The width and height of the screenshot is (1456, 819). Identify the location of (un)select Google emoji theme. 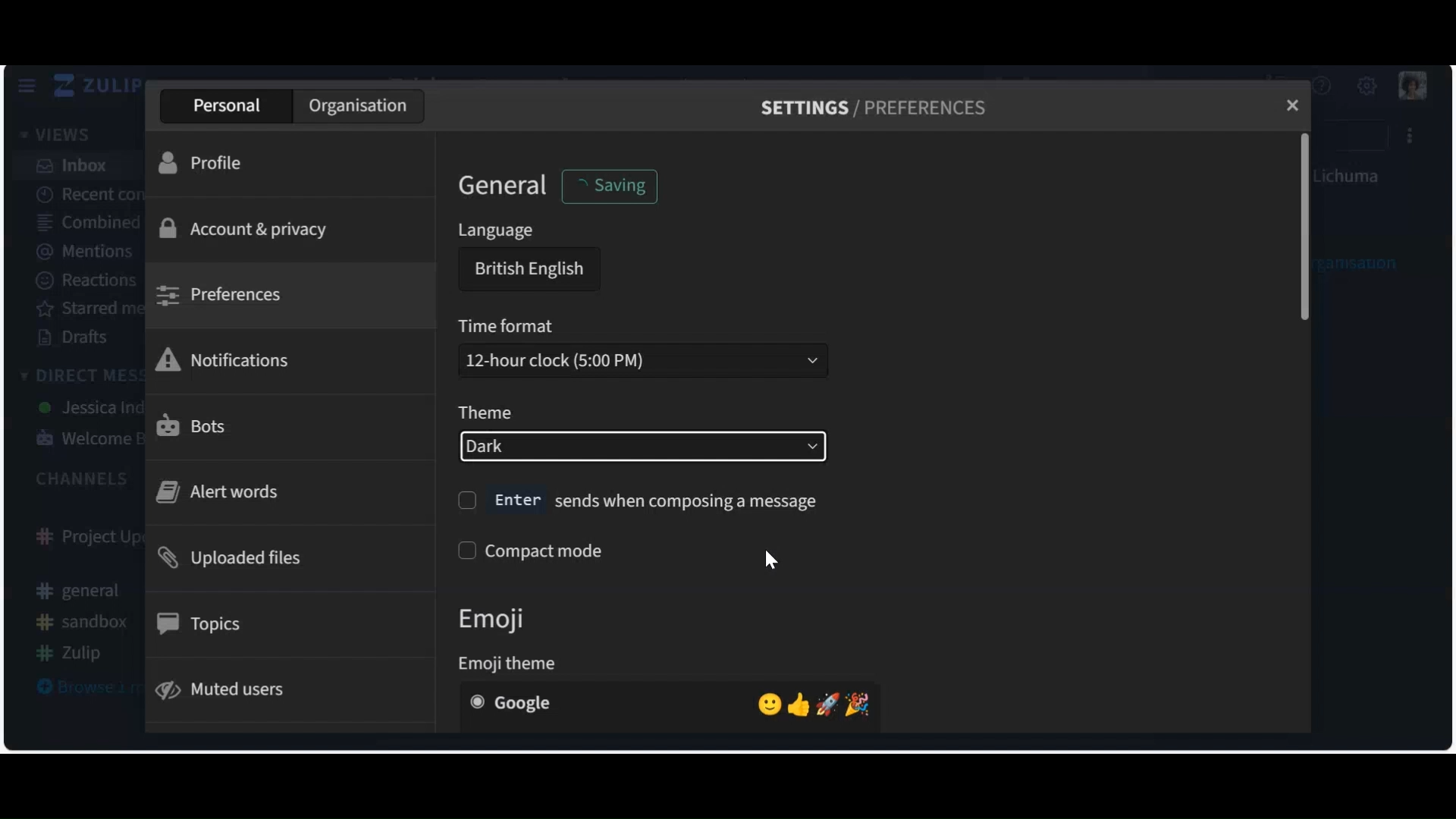
(670, 703).